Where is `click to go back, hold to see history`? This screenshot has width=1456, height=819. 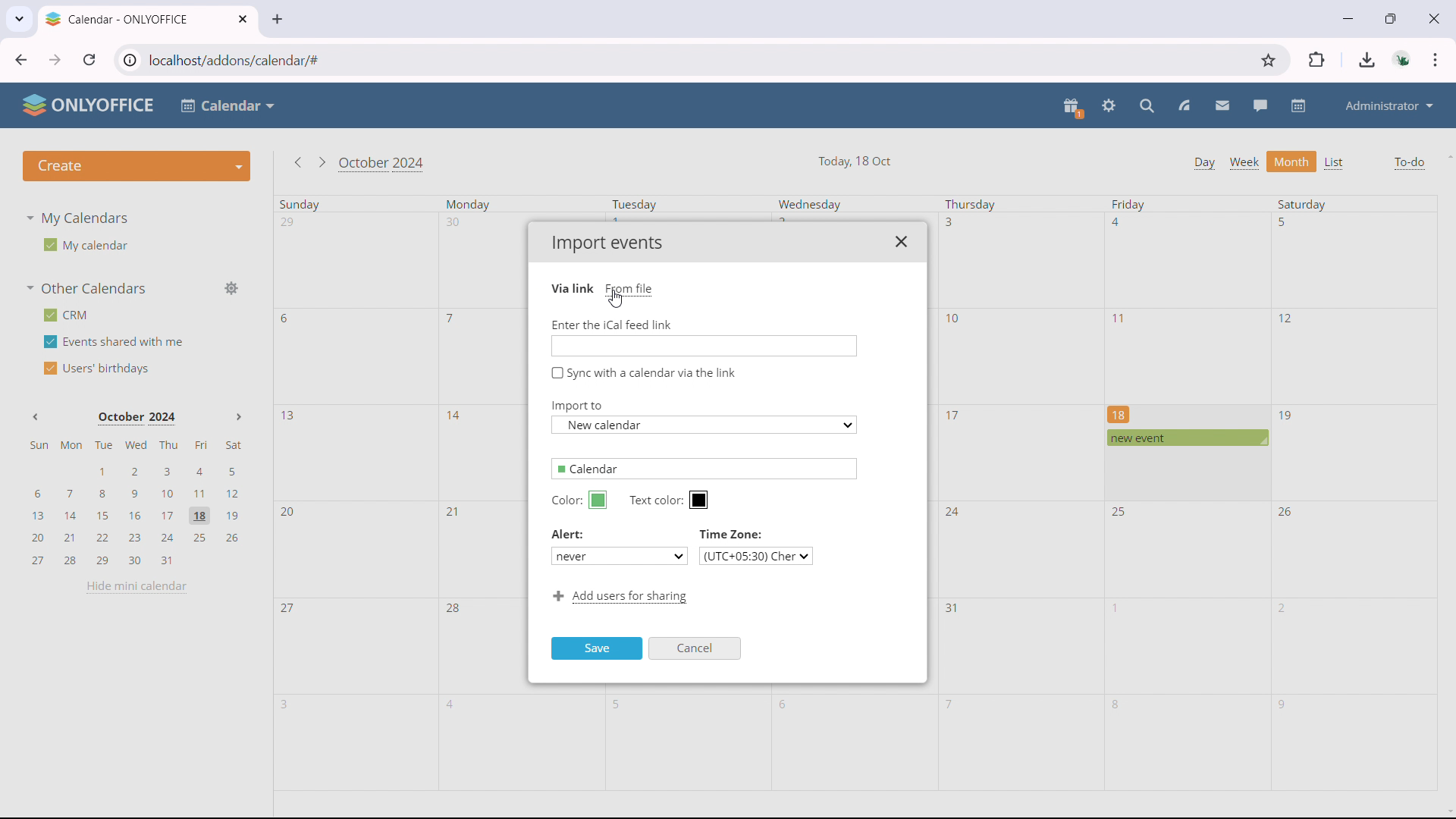 click to go back, hold to see history is located at coordinates (21, 59).